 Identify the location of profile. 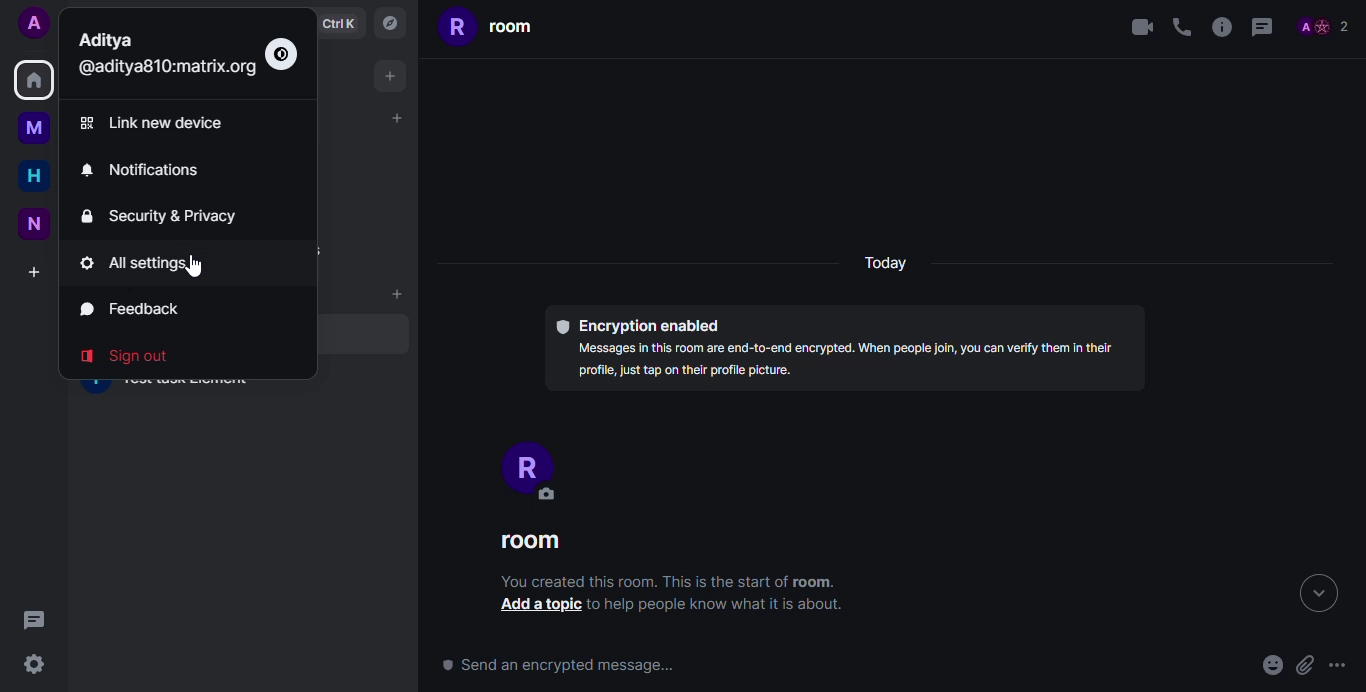
(107, 40).